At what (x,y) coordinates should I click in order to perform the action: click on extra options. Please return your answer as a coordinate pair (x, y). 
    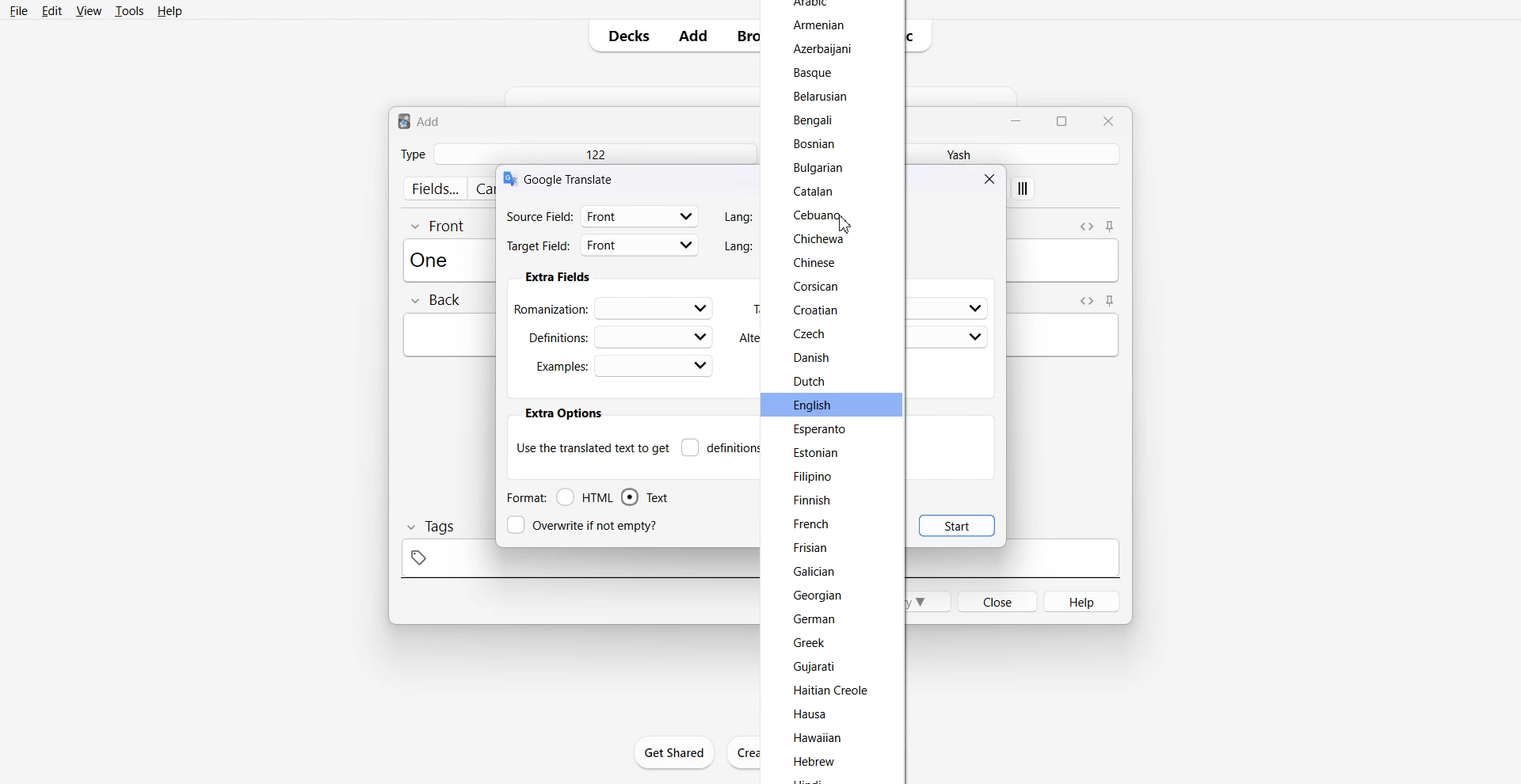
    Looking at the image, I should click on (562, 413).